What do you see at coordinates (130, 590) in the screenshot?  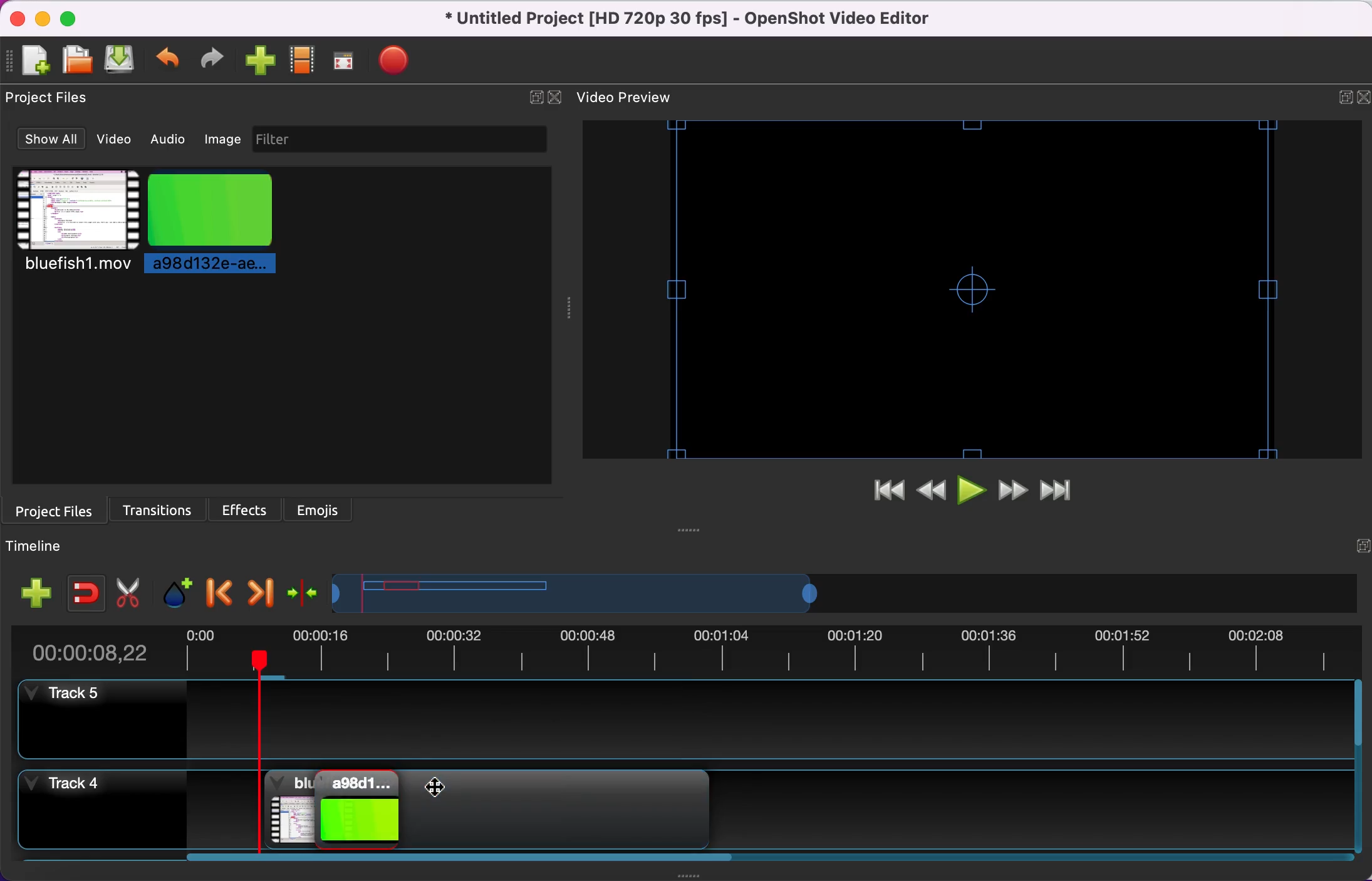 I see `cut` at bounding box center [130, 590].